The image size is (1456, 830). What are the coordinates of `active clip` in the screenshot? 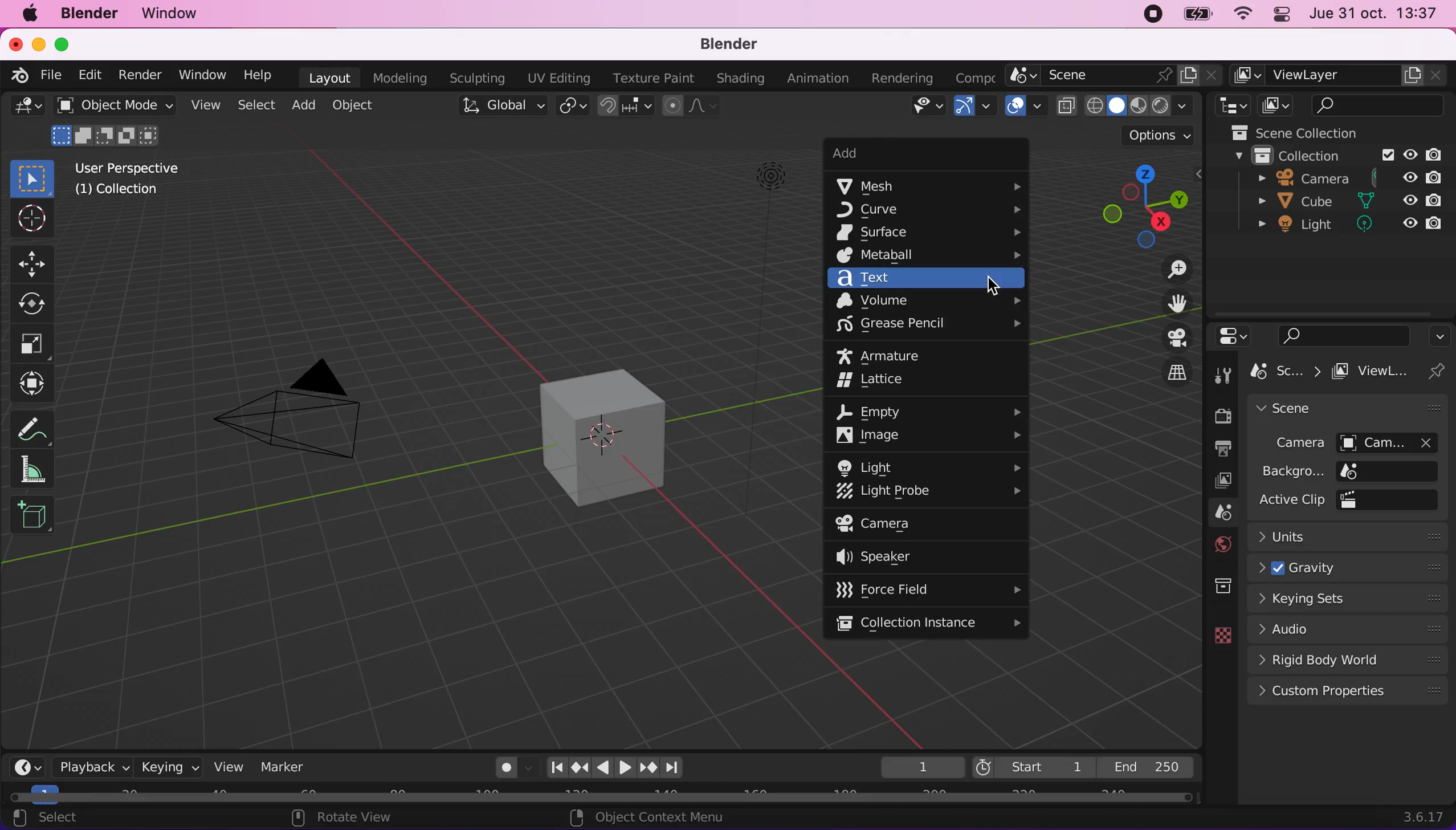 It's located at (1351, 501).